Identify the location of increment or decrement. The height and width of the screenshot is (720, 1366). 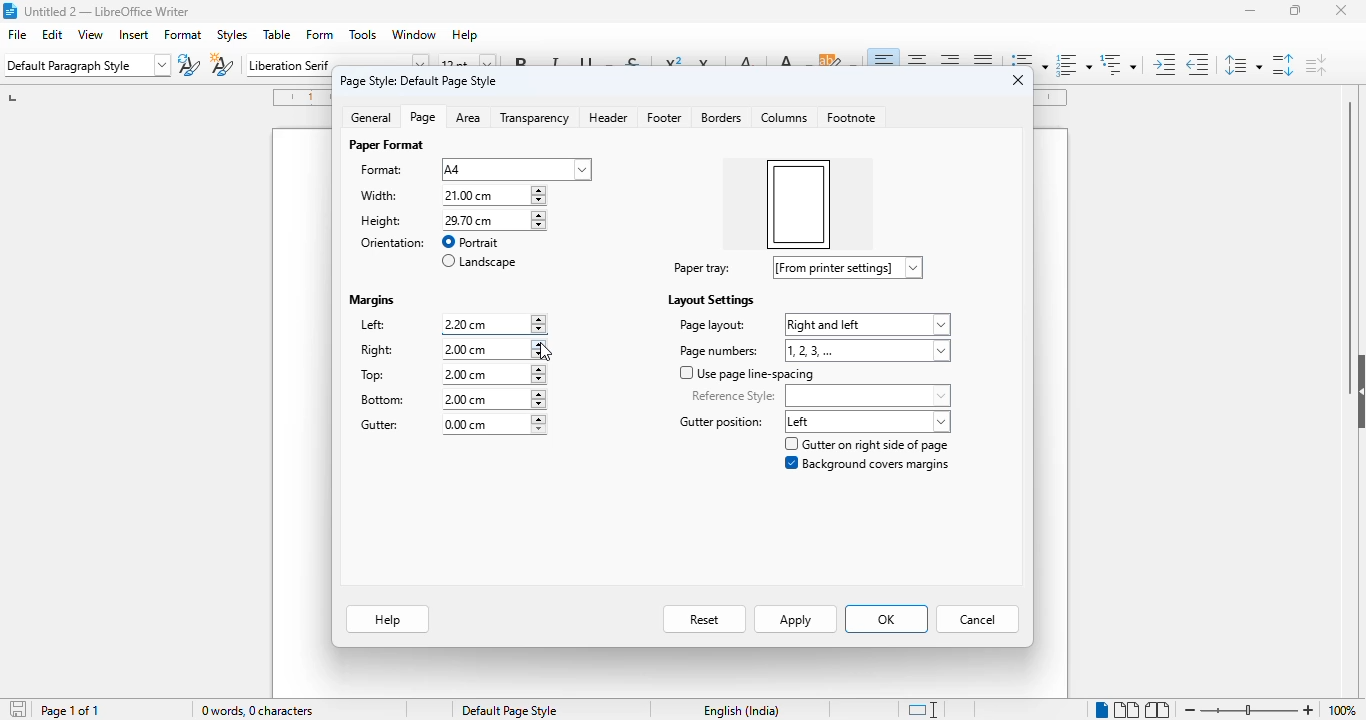
(541, 323).